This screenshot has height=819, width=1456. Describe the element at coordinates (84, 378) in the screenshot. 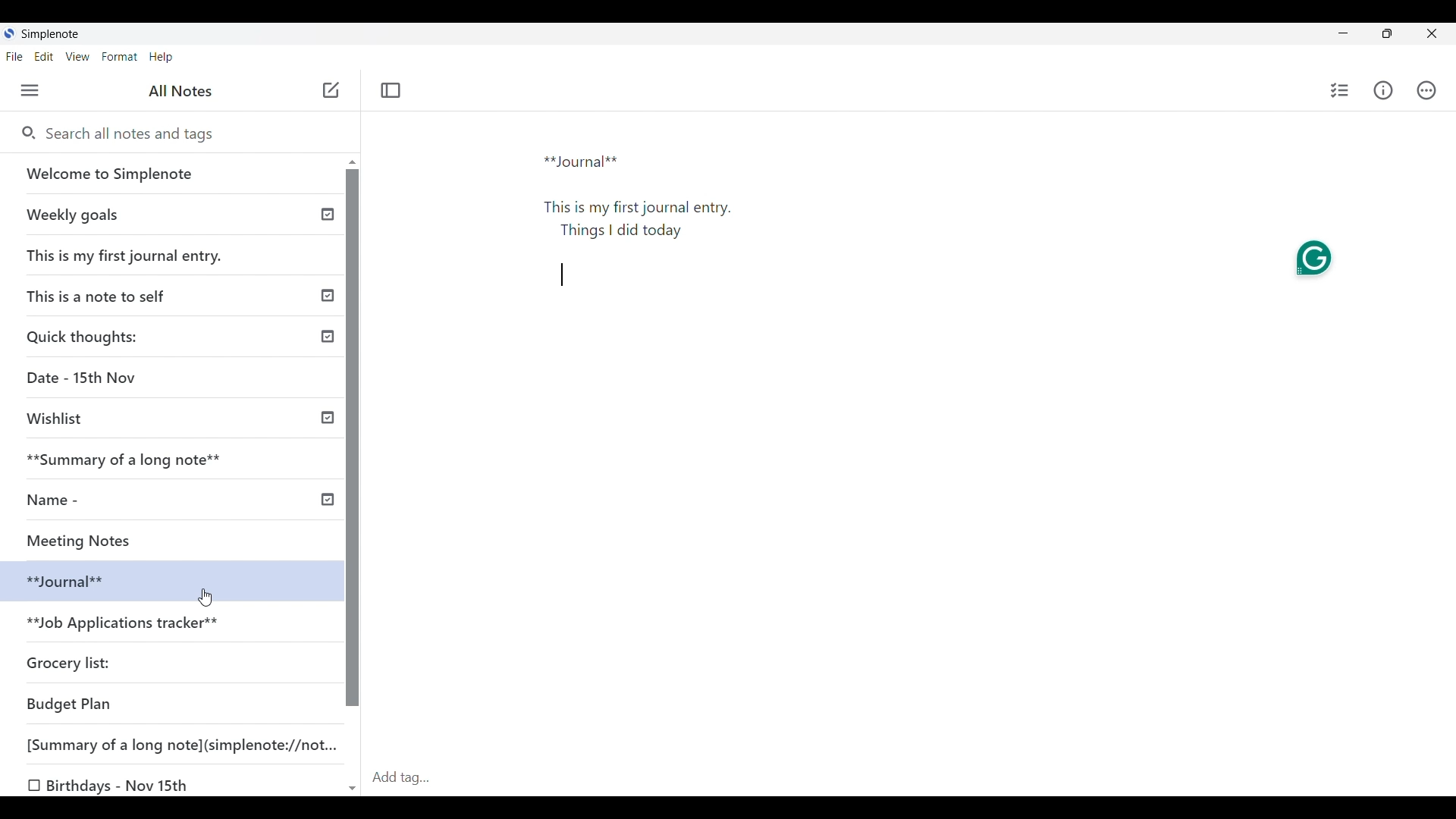

I see `Date - 15th Nov` at that location.